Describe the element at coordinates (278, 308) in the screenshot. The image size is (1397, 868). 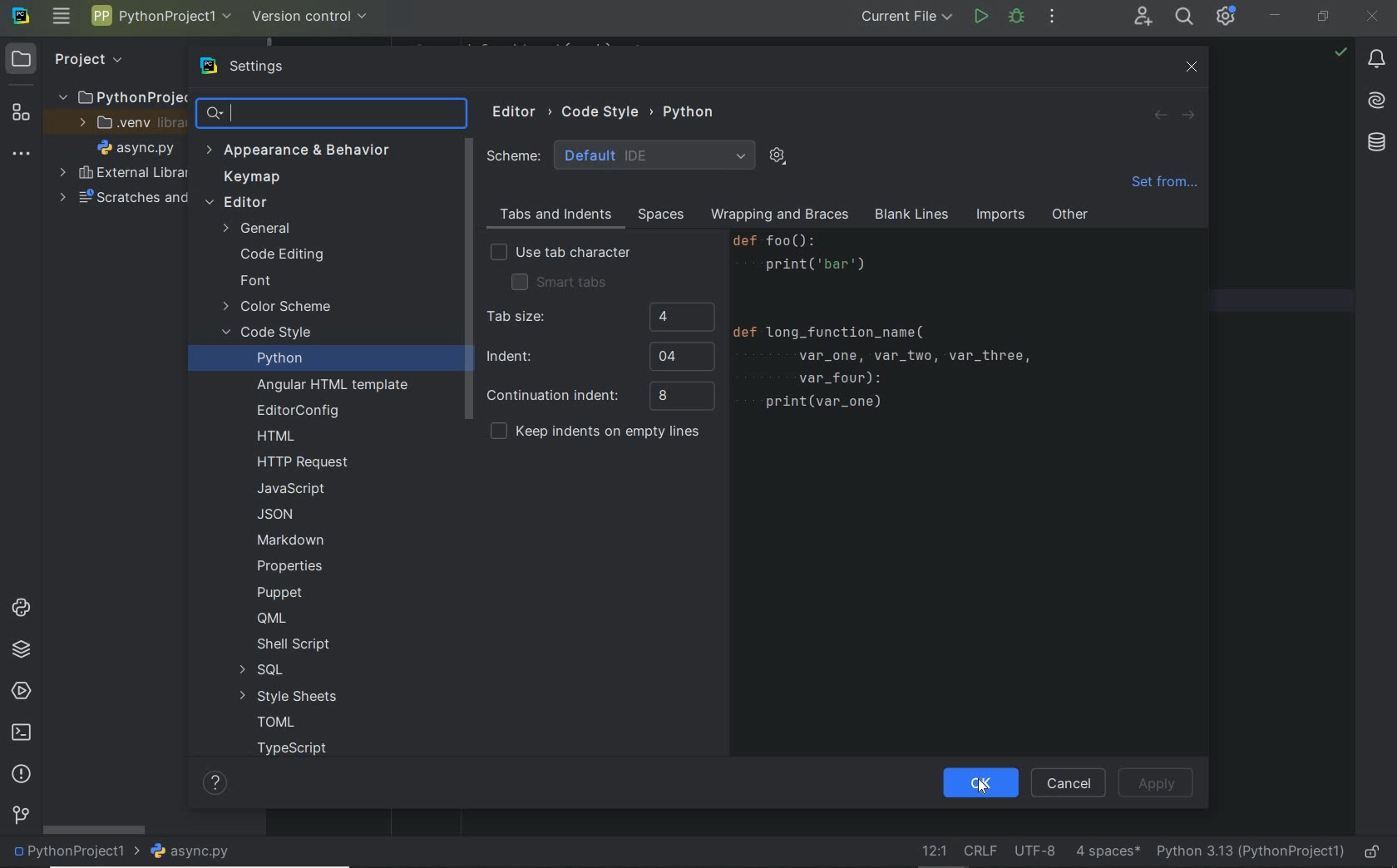
I see `color scheme` at that location.